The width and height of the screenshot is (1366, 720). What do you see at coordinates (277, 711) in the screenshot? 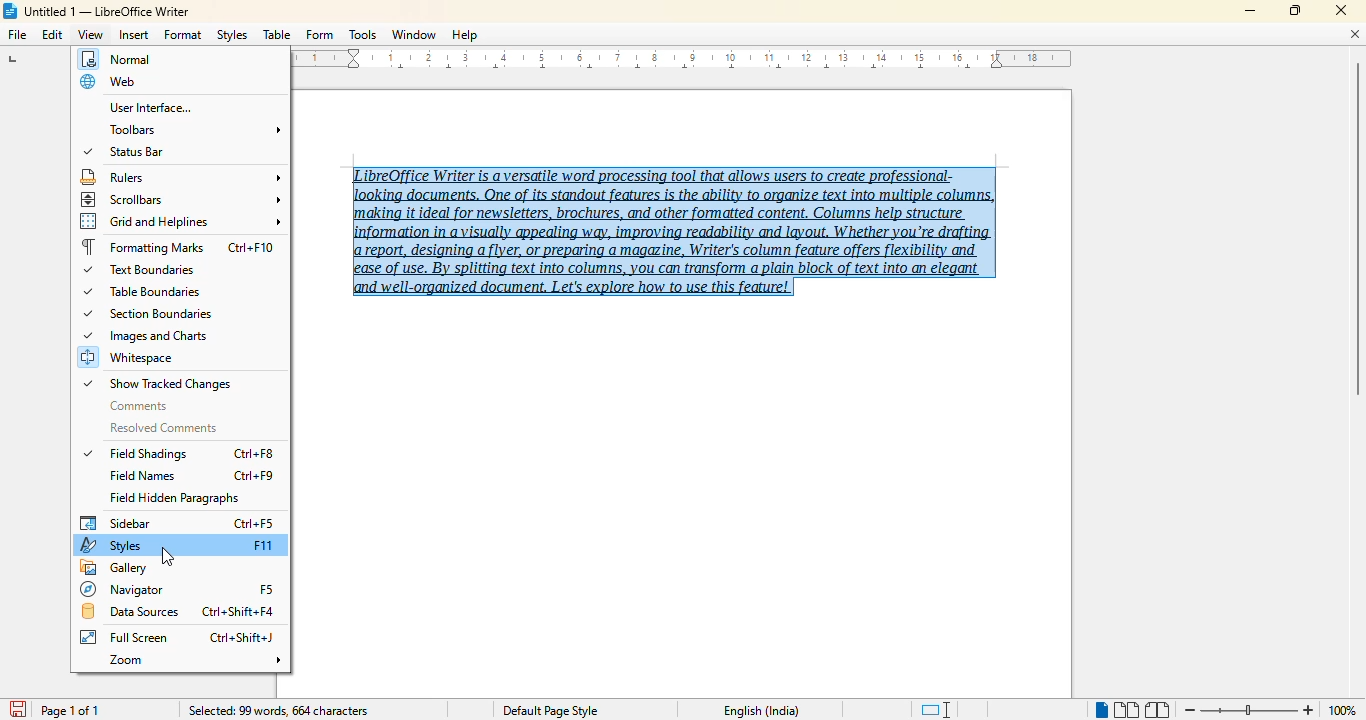
I see `selected: 99 words, 664 characters` at bounding box center [277, 711].